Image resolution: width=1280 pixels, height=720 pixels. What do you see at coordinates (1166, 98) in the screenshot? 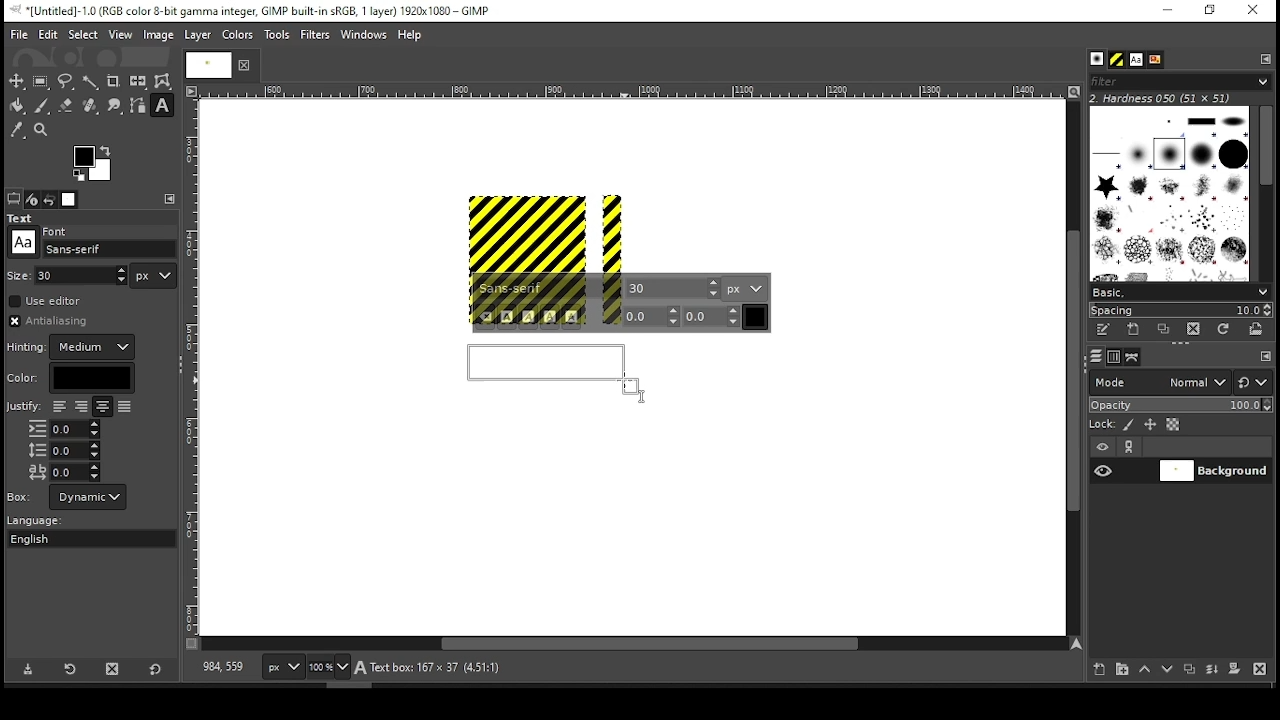
I see `2. hardness 050 (51x51)` at bounding box center [1166, 98].